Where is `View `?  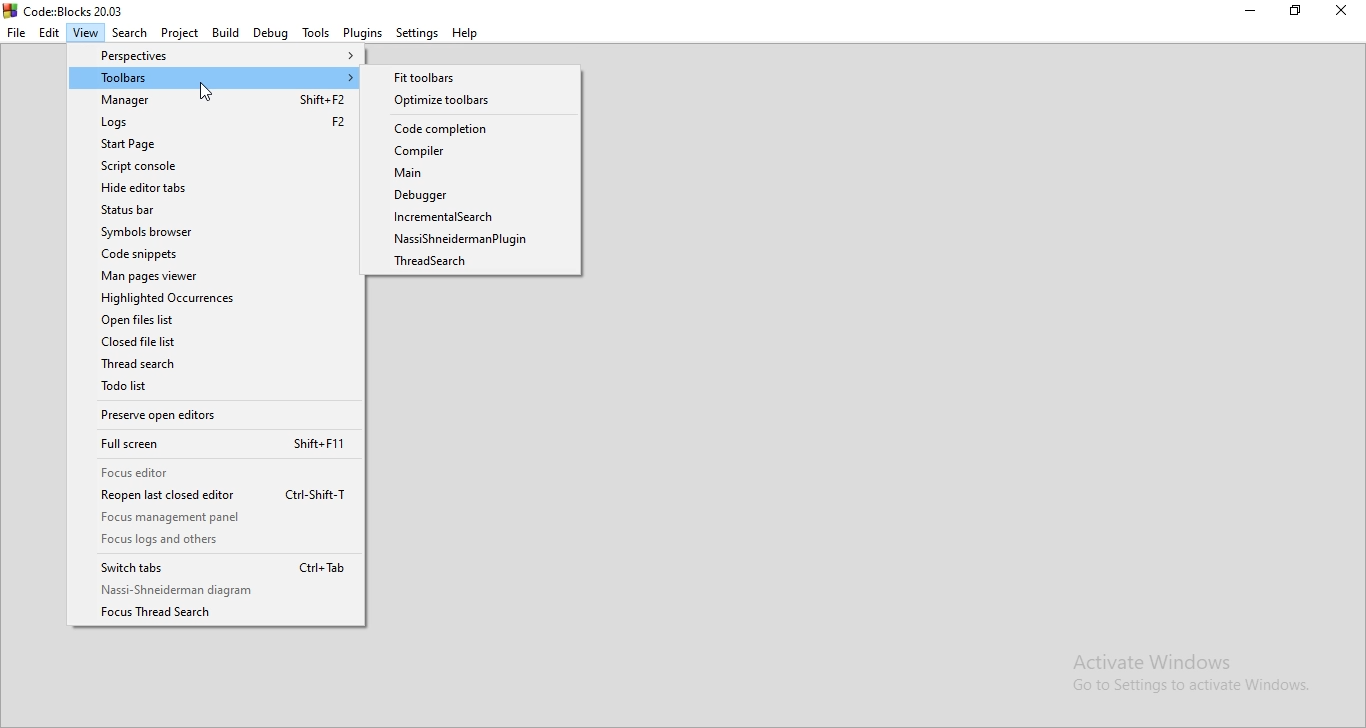 View  is located at coordinates (86, 32).